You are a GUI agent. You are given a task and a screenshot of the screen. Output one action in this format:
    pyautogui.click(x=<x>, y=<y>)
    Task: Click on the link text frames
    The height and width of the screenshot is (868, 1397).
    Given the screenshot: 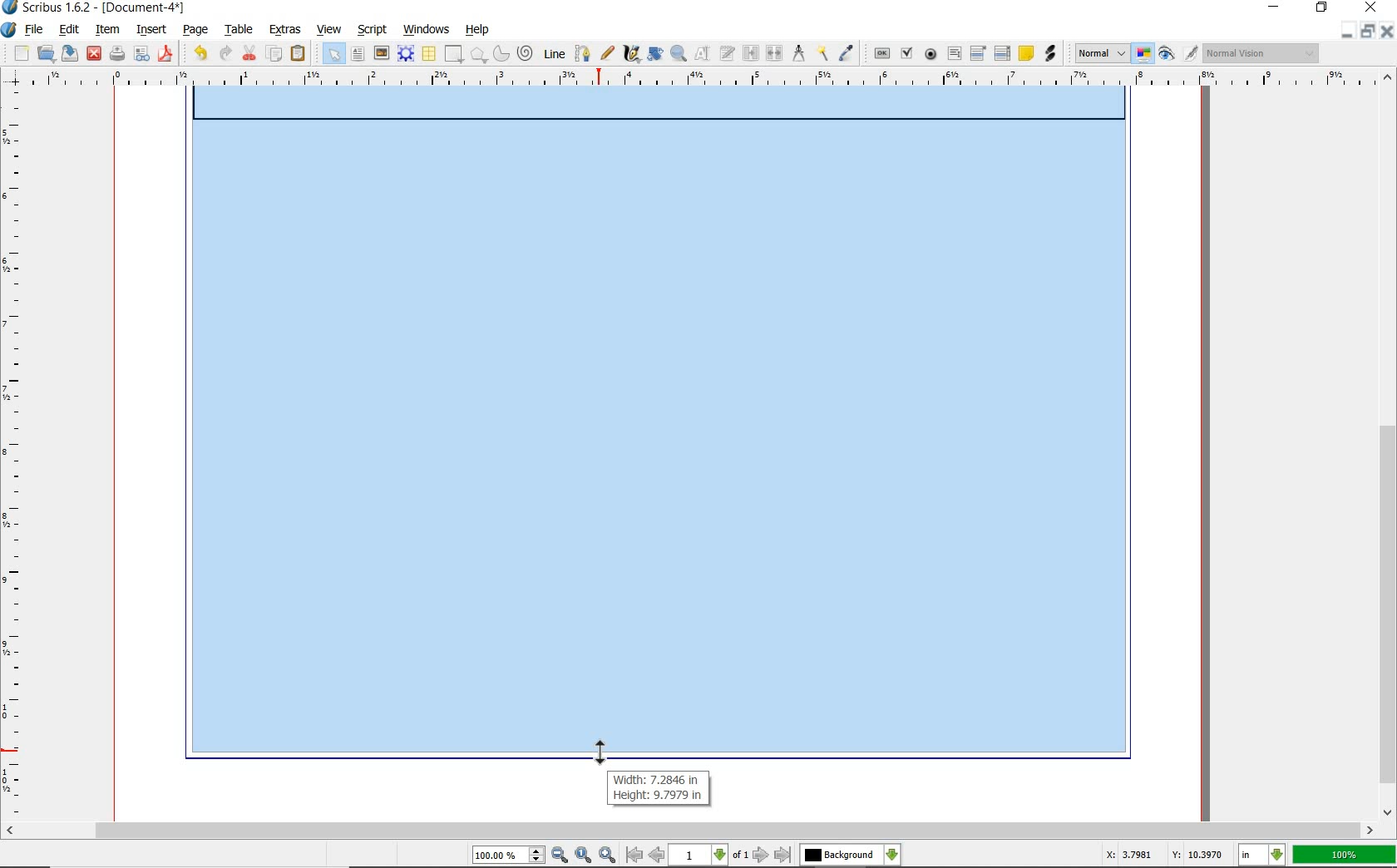 What is the action you would take?
    pyautogui.click(x=748, y=52)
    